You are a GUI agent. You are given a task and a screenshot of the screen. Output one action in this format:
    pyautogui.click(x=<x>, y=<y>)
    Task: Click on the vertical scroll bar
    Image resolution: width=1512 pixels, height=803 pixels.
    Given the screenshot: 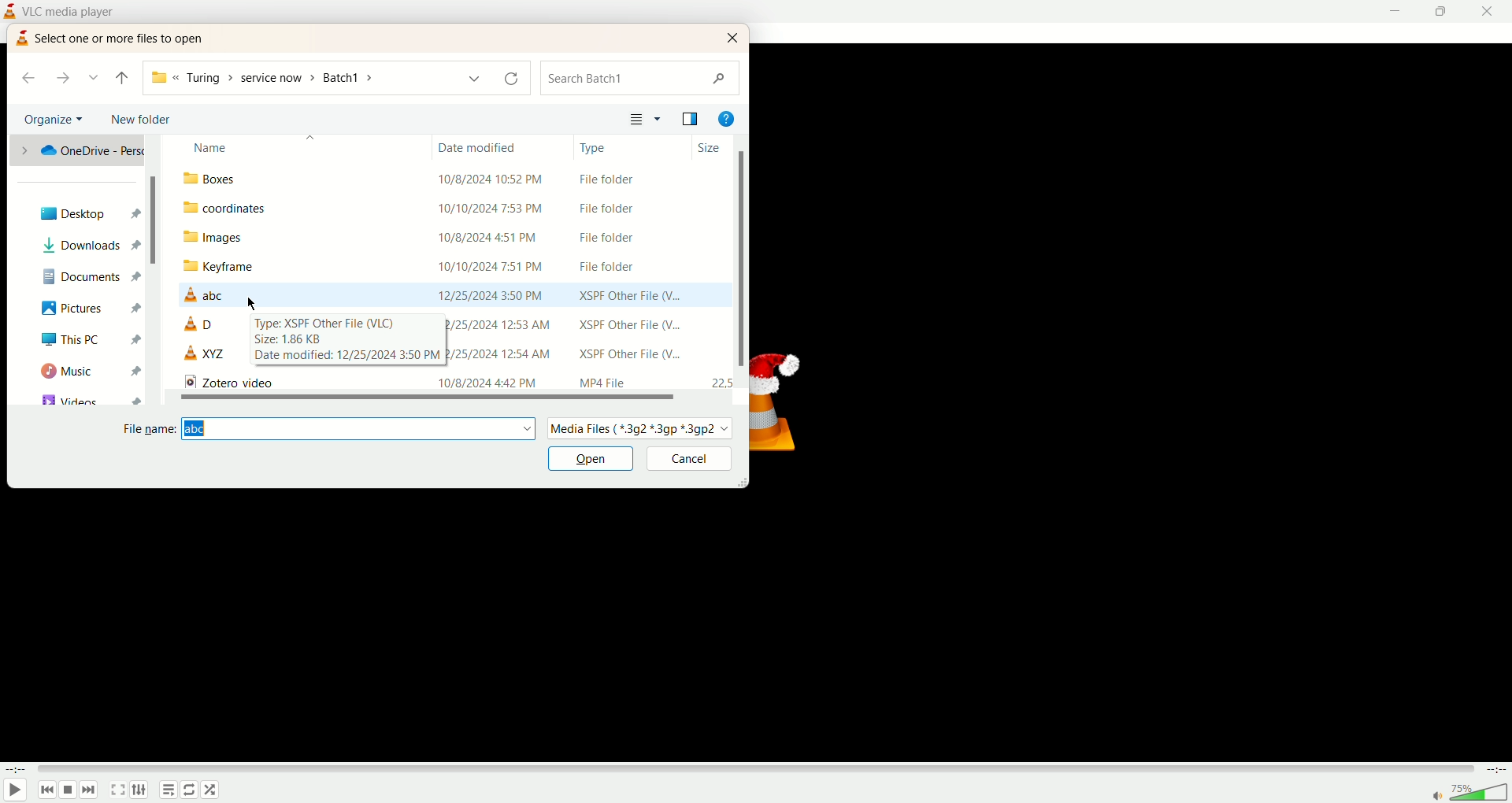 What is the action you would take?
    pyautogui.click(x=153, y=221)
    